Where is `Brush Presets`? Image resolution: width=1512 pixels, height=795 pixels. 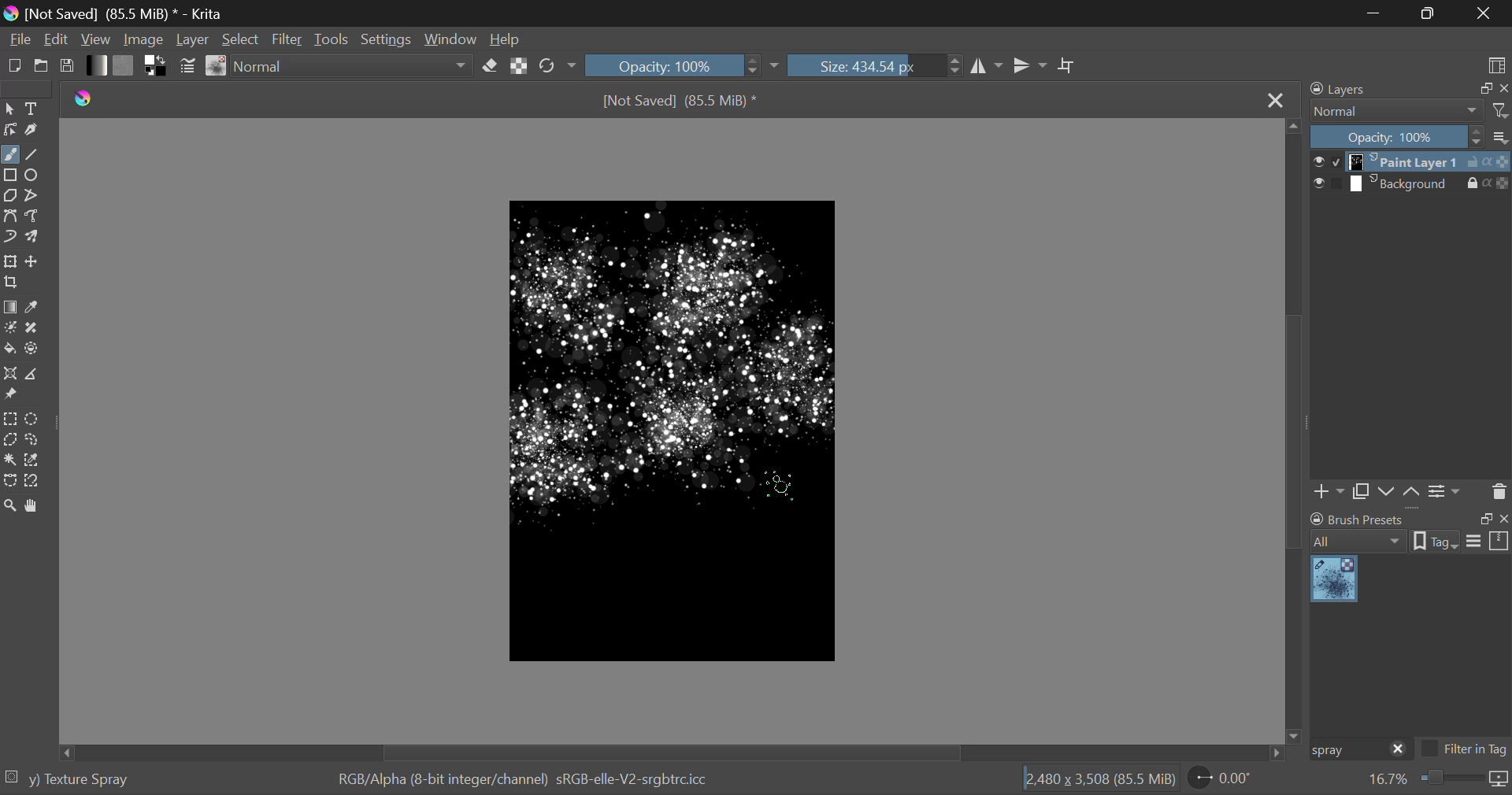 Brush Presets is located at coordinates (217, 66).